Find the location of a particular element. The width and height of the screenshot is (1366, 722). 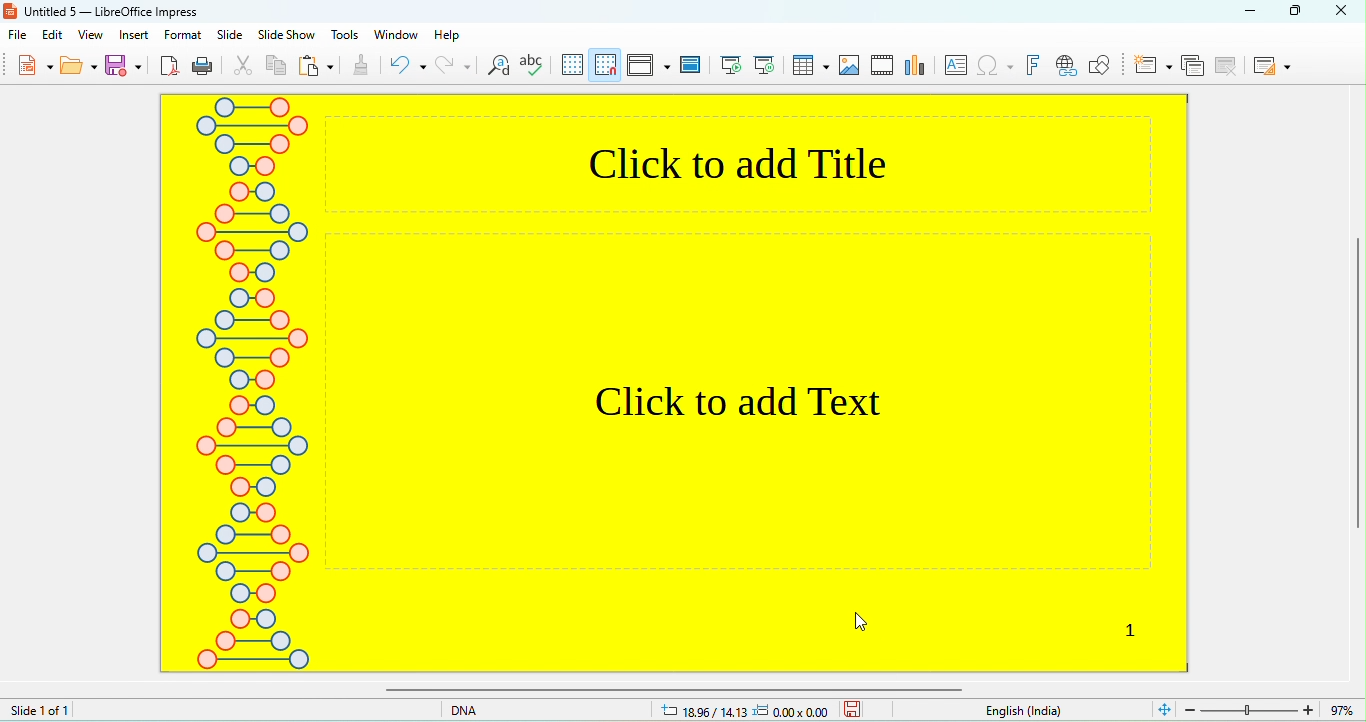

zoom is located at coordinates (1273, 708).